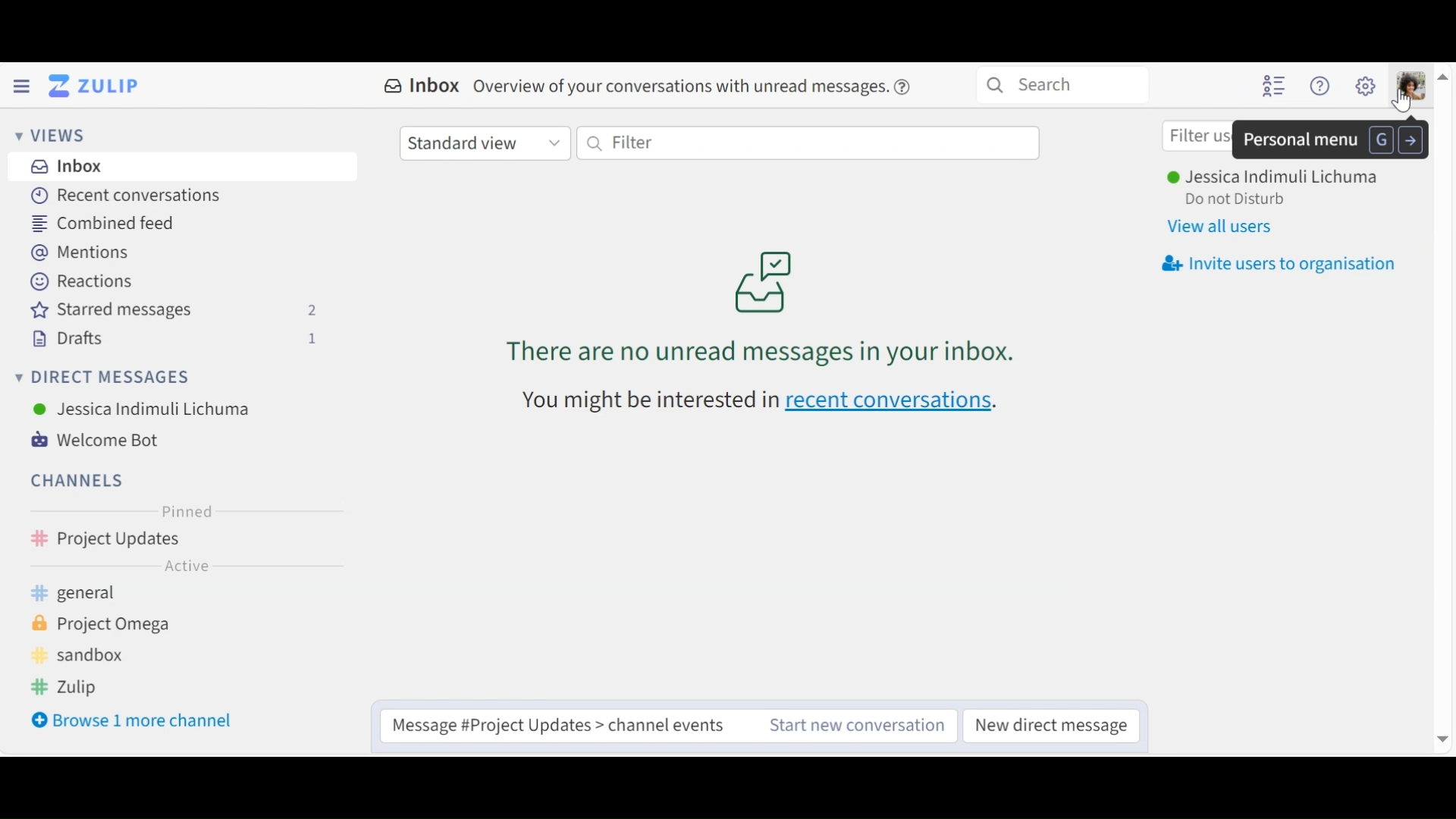  Describe the element at coordinates (1411, 142) in the screenshot. I see `go` at that location.